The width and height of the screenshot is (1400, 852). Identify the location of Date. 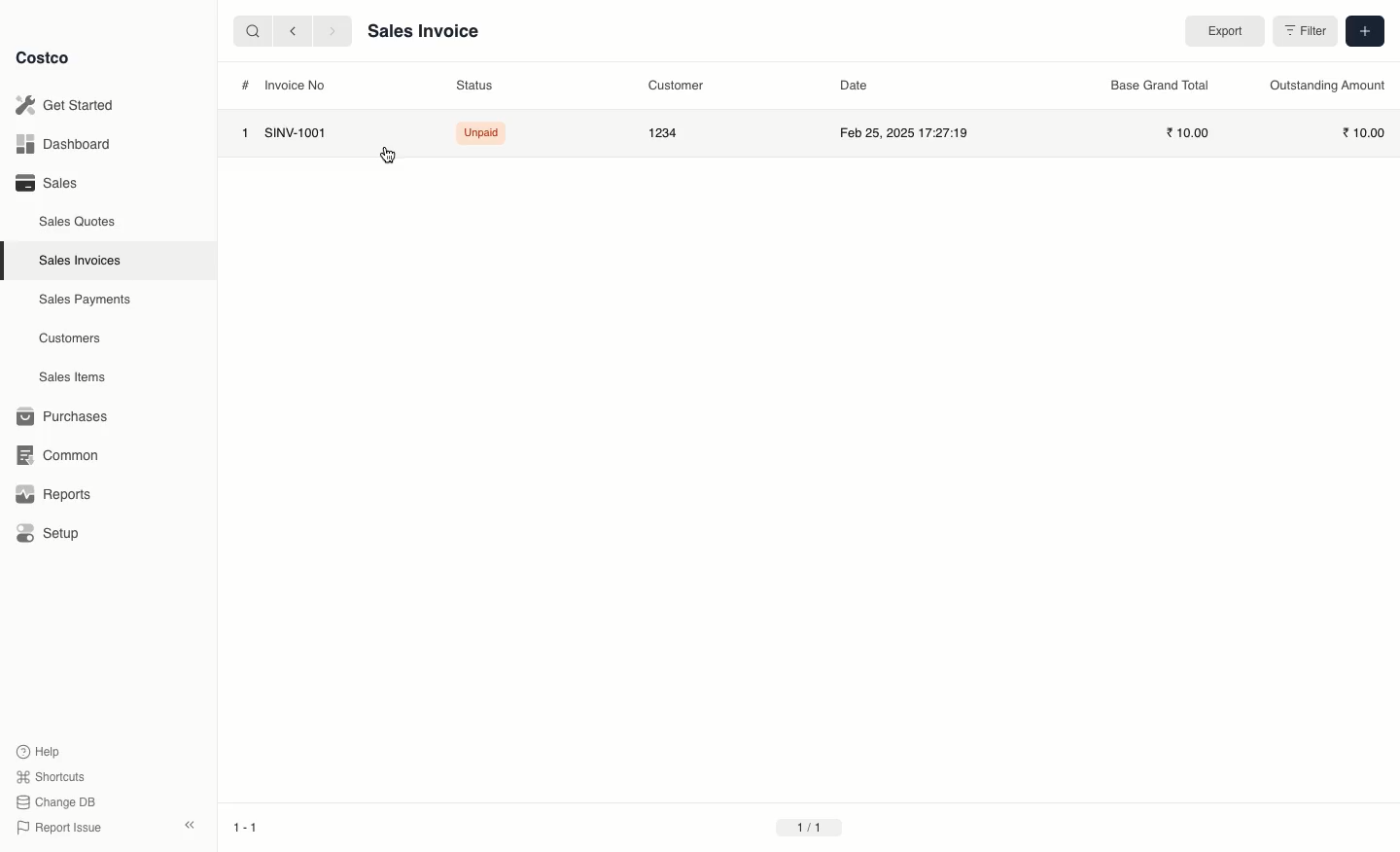
(853, 86).